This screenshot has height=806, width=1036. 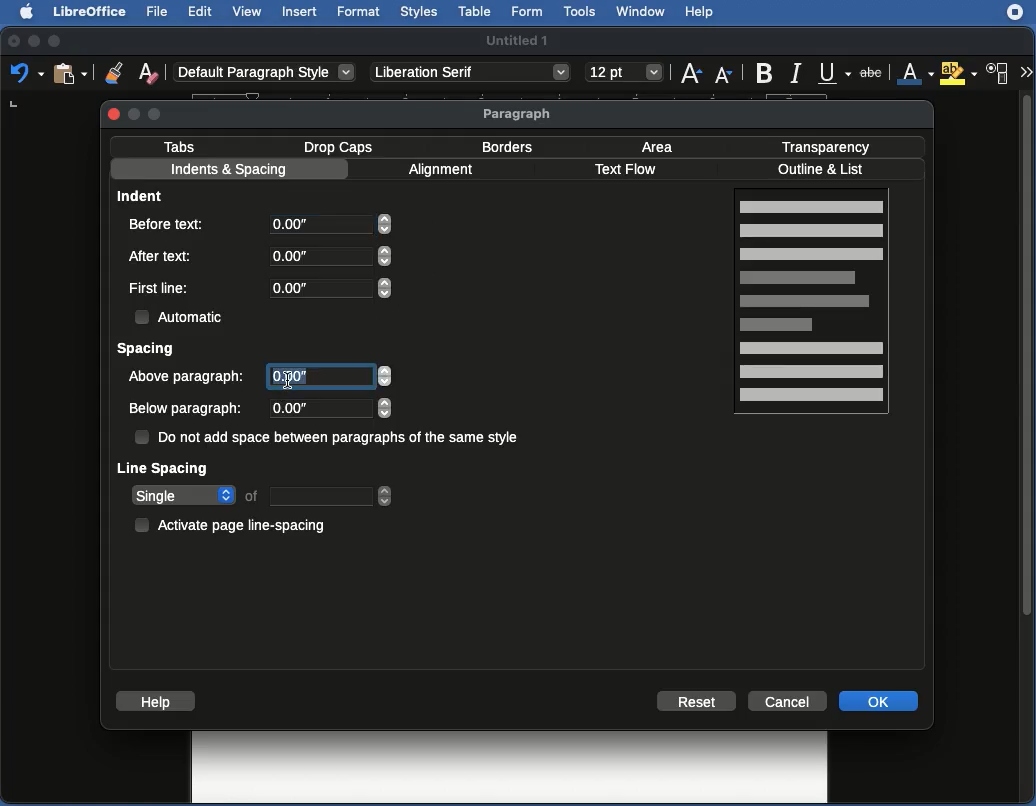 I want to click on LibreOffice, so click(x=87, y=13).